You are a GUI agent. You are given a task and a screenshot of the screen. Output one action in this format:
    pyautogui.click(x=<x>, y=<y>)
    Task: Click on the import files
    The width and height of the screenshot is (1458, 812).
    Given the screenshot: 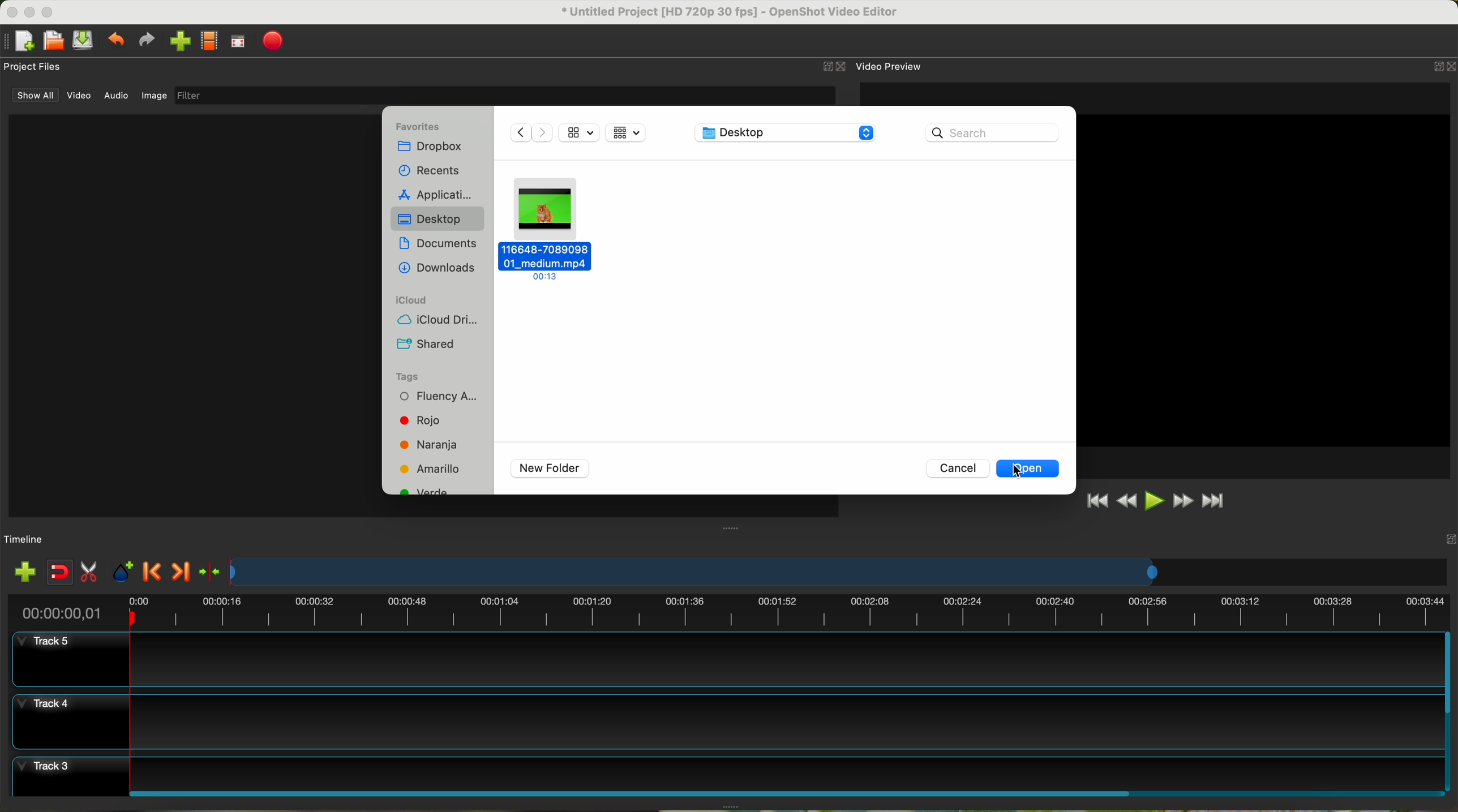 What is the action you would take?
    pyautogui.click(x=24, y=573)
    